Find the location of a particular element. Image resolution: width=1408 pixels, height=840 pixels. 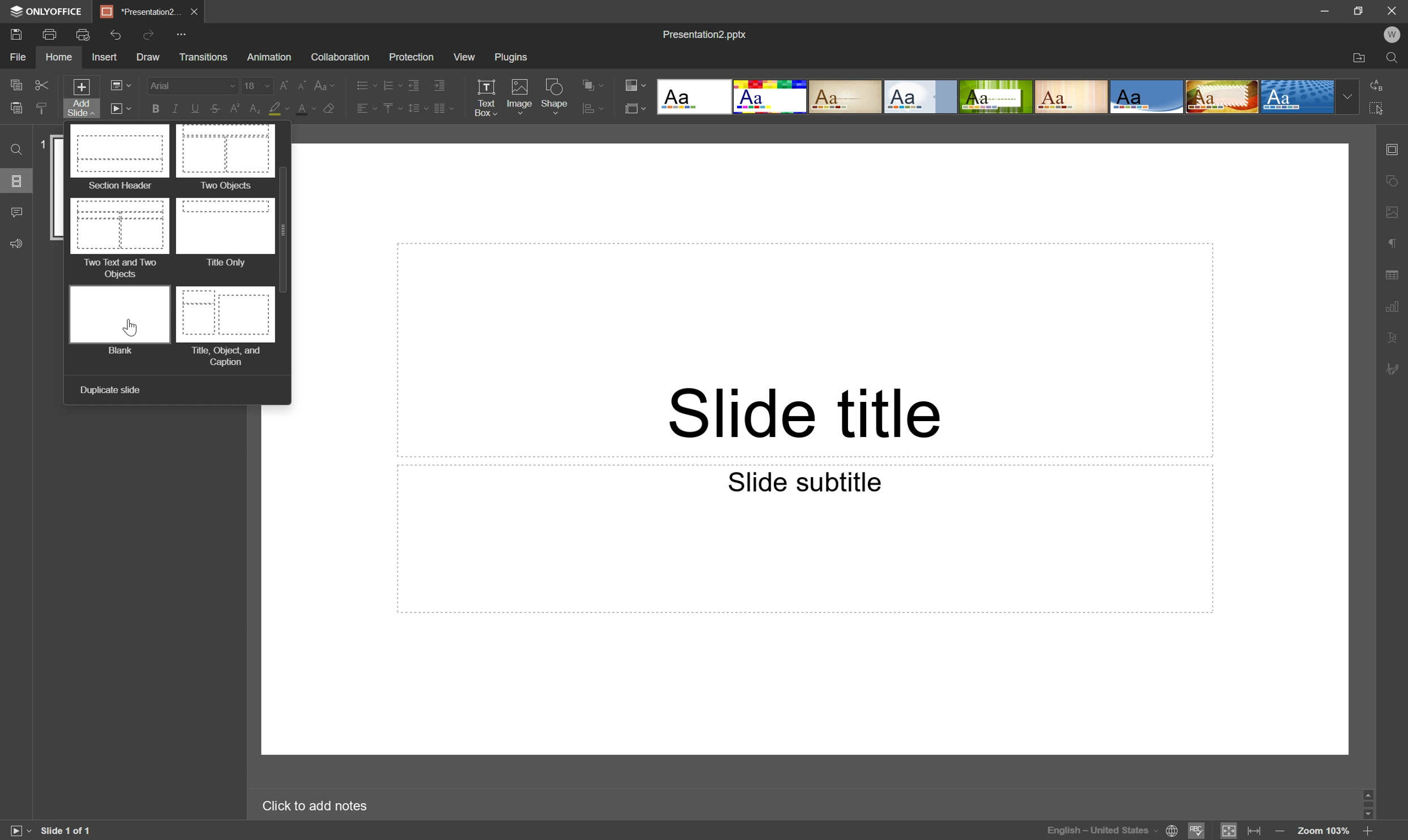

Find is located at coordinates (1395, 57).